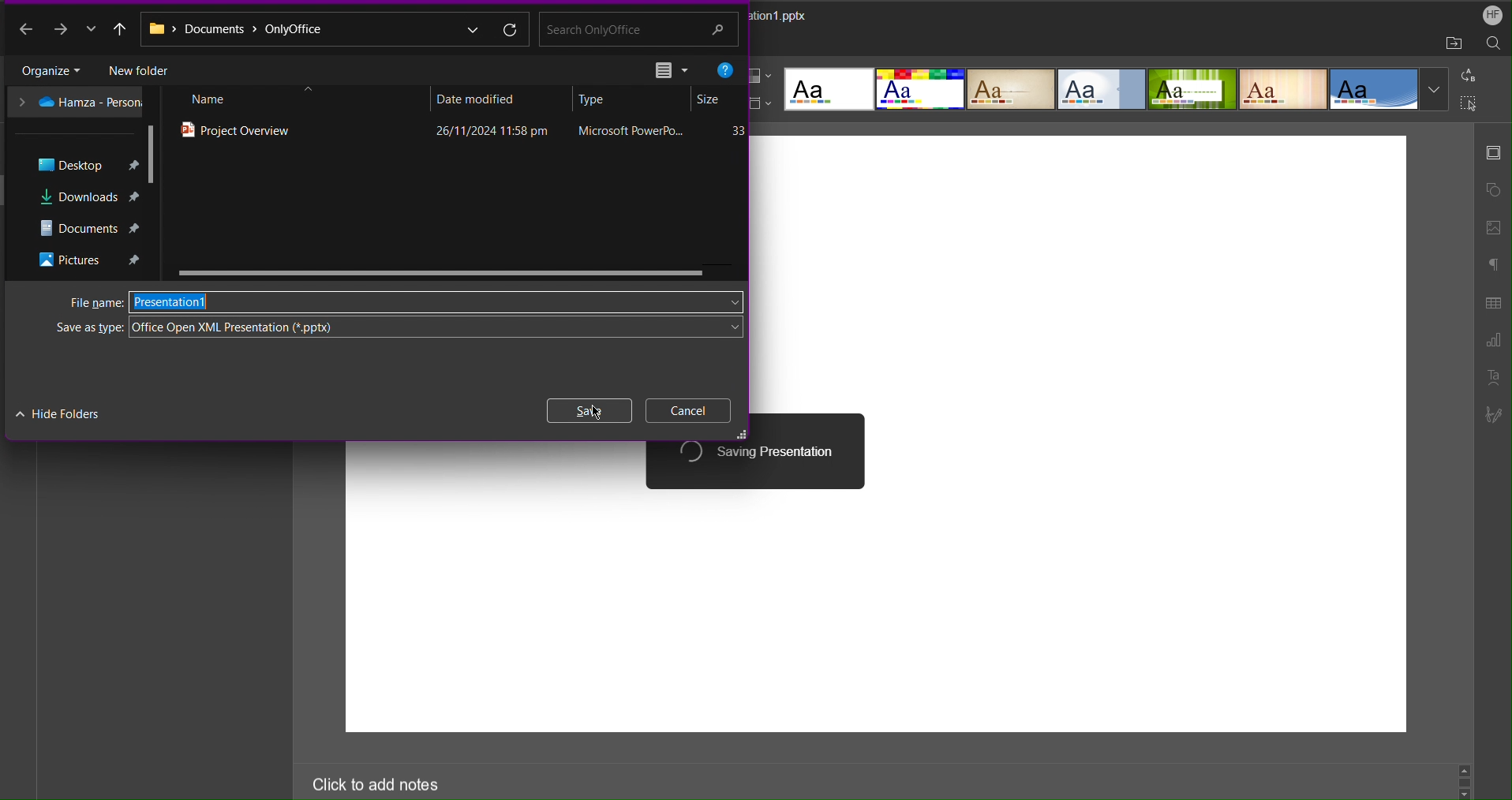 This screenshot has width=1512, height=800. I want to click on Graph Settings, so click(1493, 342).